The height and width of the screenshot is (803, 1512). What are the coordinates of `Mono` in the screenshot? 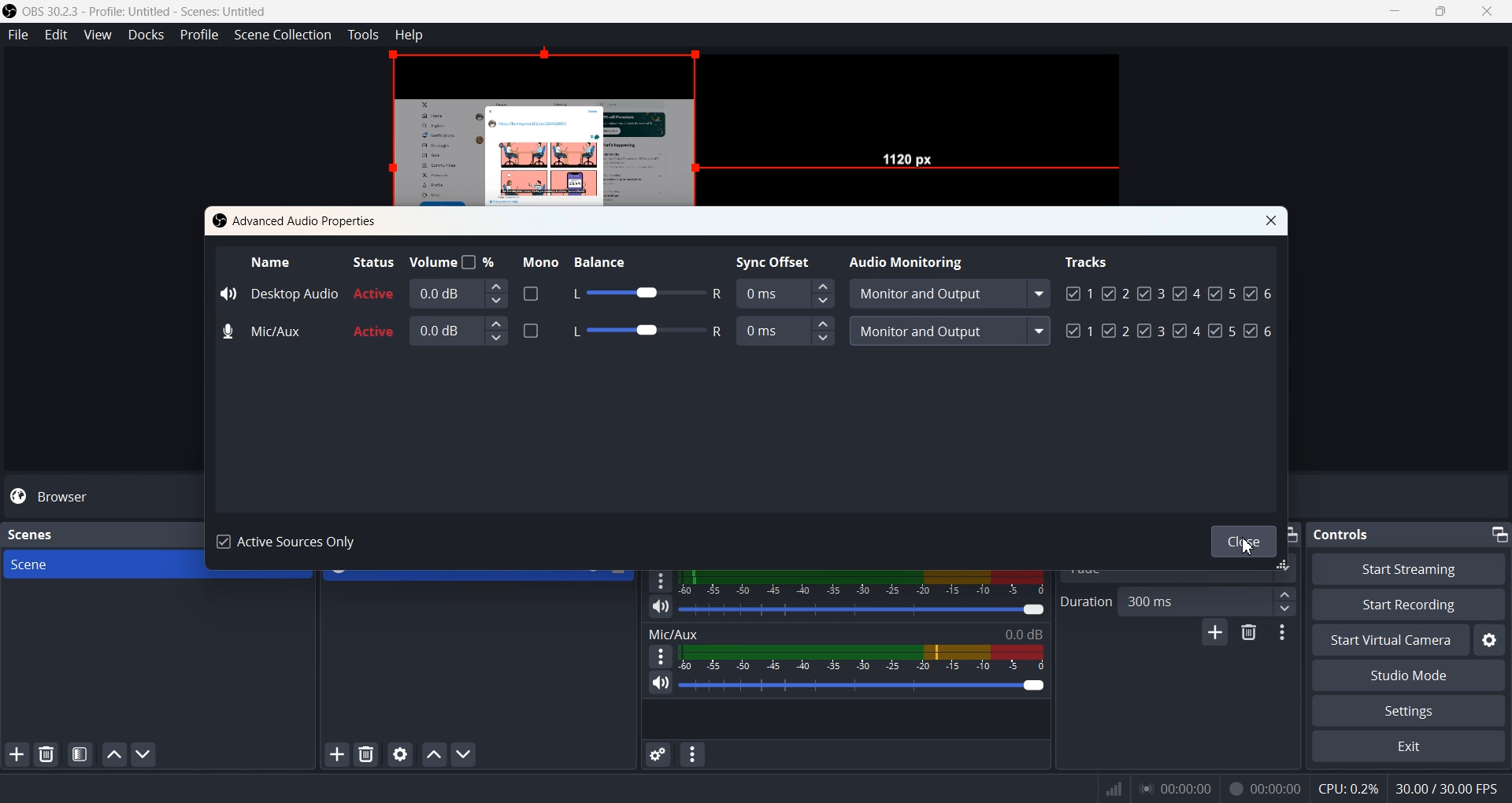 It's located at (536, 260).